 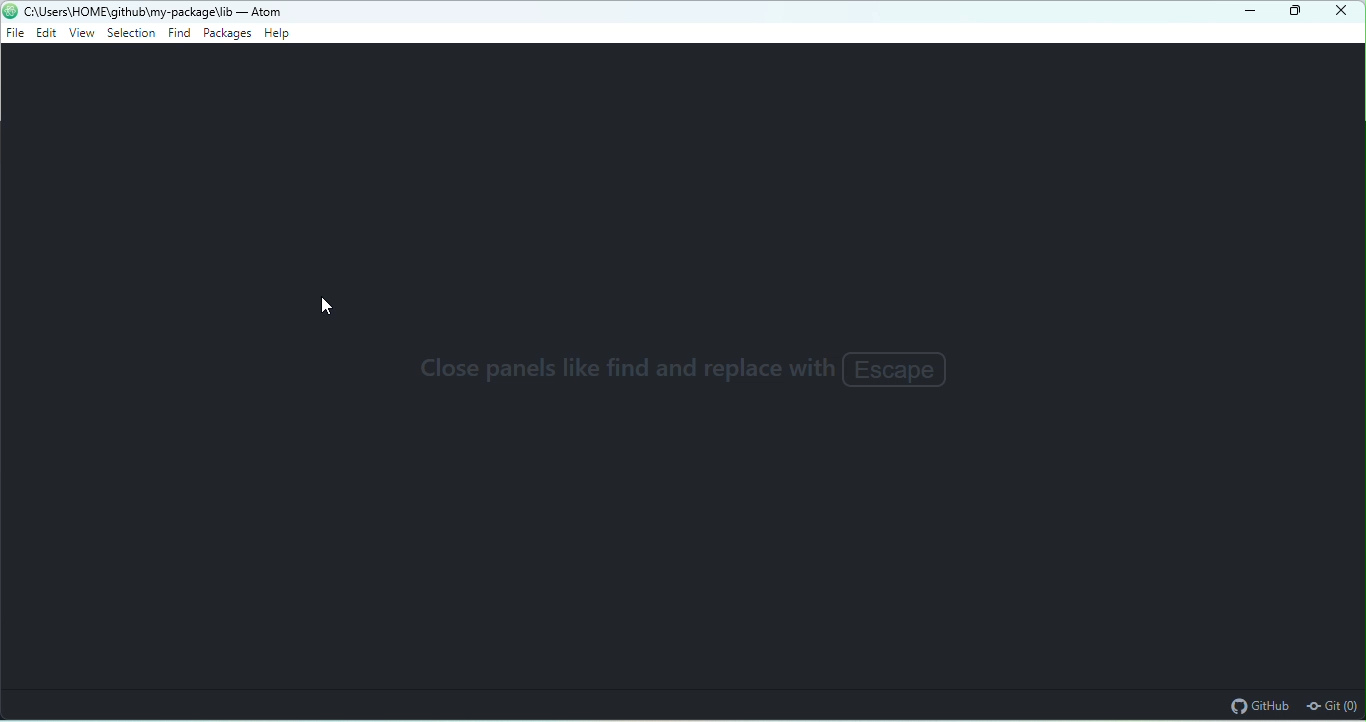 What do you see at coordinates (1295, 12) in the screenshot?
I see `maximize` at bounding box center [1295, 12].